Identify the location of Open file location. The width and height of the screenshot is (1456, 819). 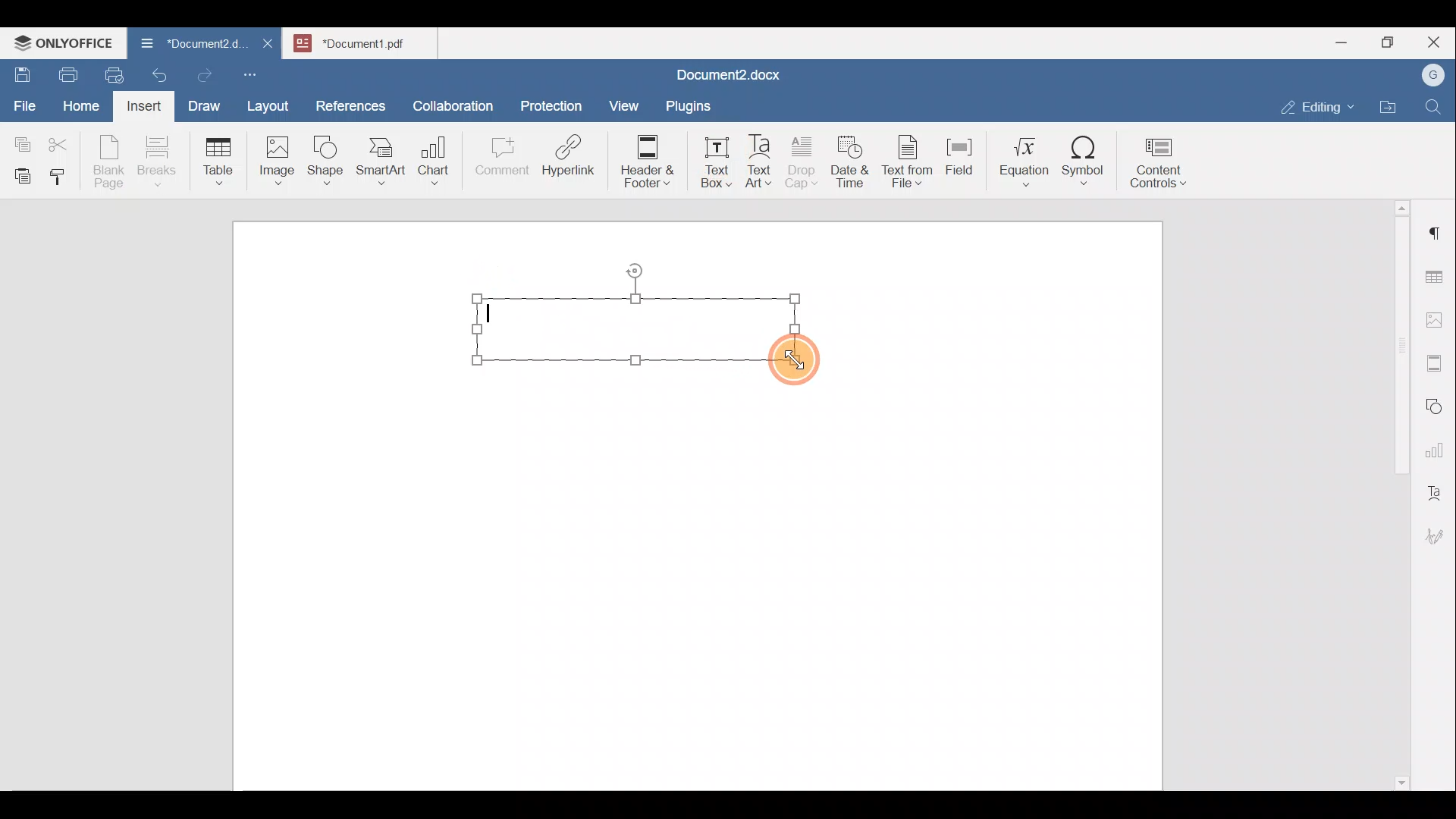
(1392, 108).